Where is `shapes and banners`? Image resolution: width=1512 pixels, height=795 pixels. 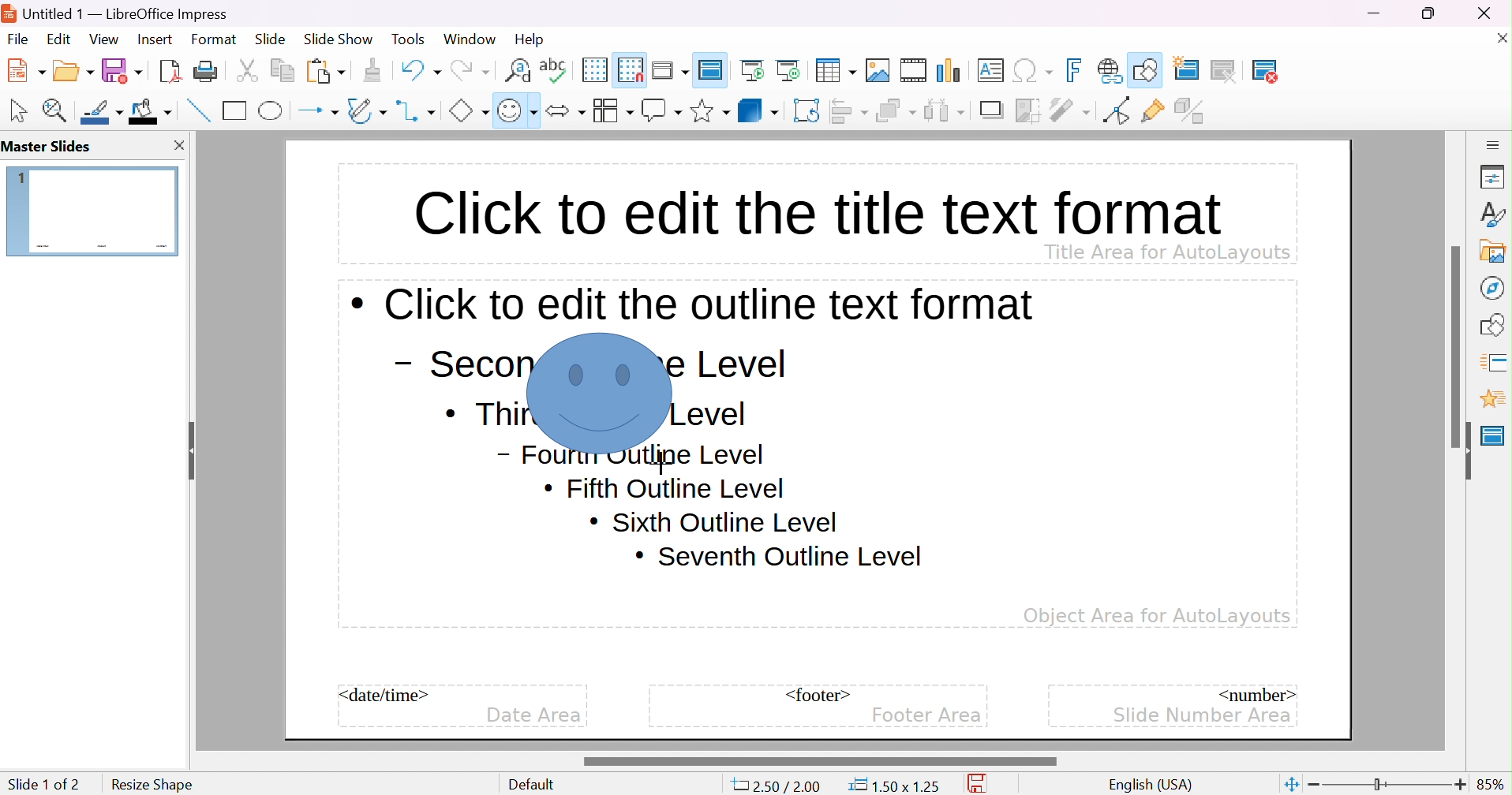 shapes and banners is located at coordinates (709, 111).